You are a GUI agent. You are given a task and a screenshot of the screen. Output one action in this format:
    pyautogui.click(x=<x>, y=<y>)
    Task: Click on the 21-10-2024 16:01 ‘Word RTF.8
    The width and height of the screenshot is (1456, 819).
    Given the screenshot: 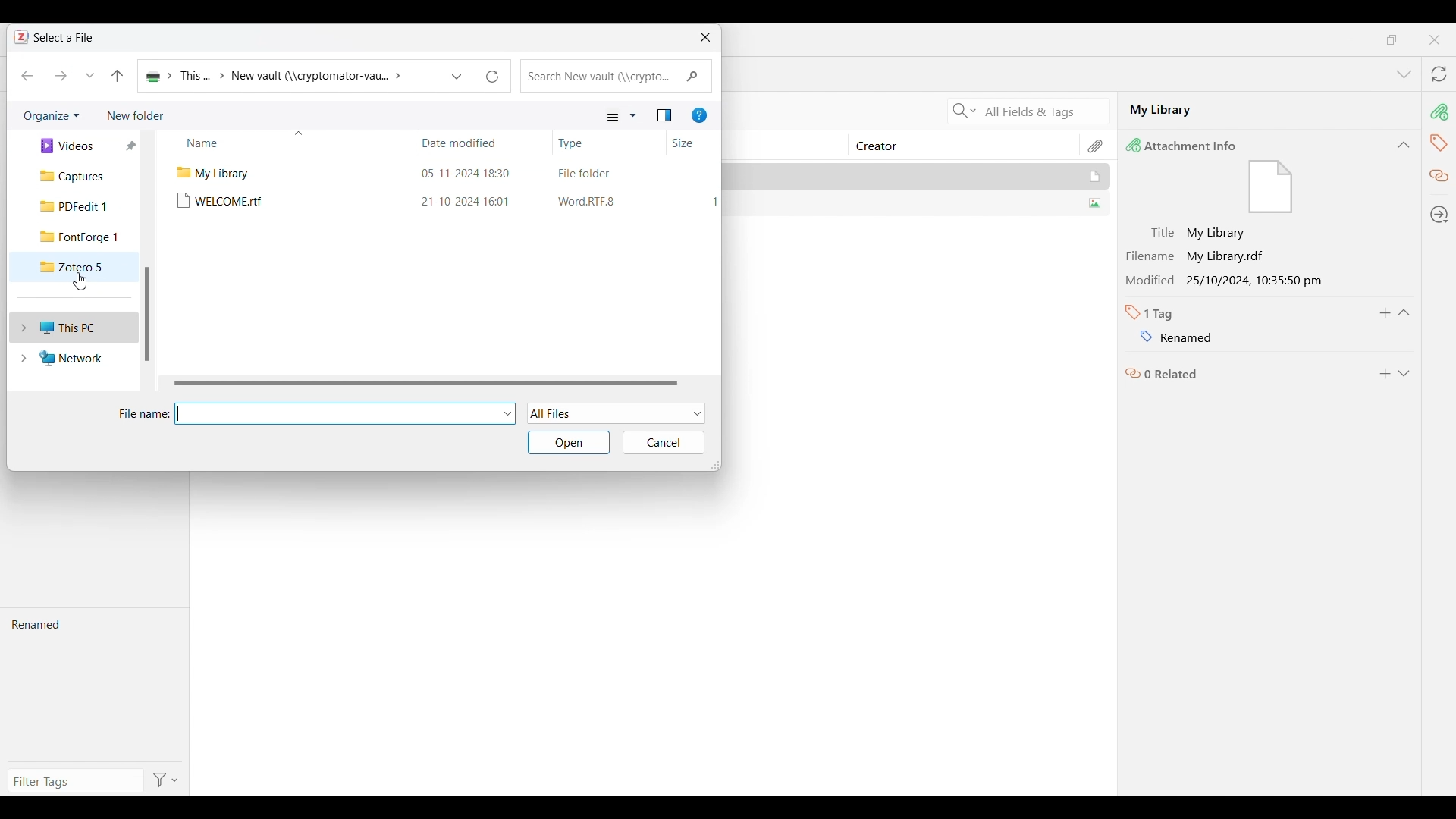 What is the action you would take?
    pyautogui.click(x=561, y=200)
    